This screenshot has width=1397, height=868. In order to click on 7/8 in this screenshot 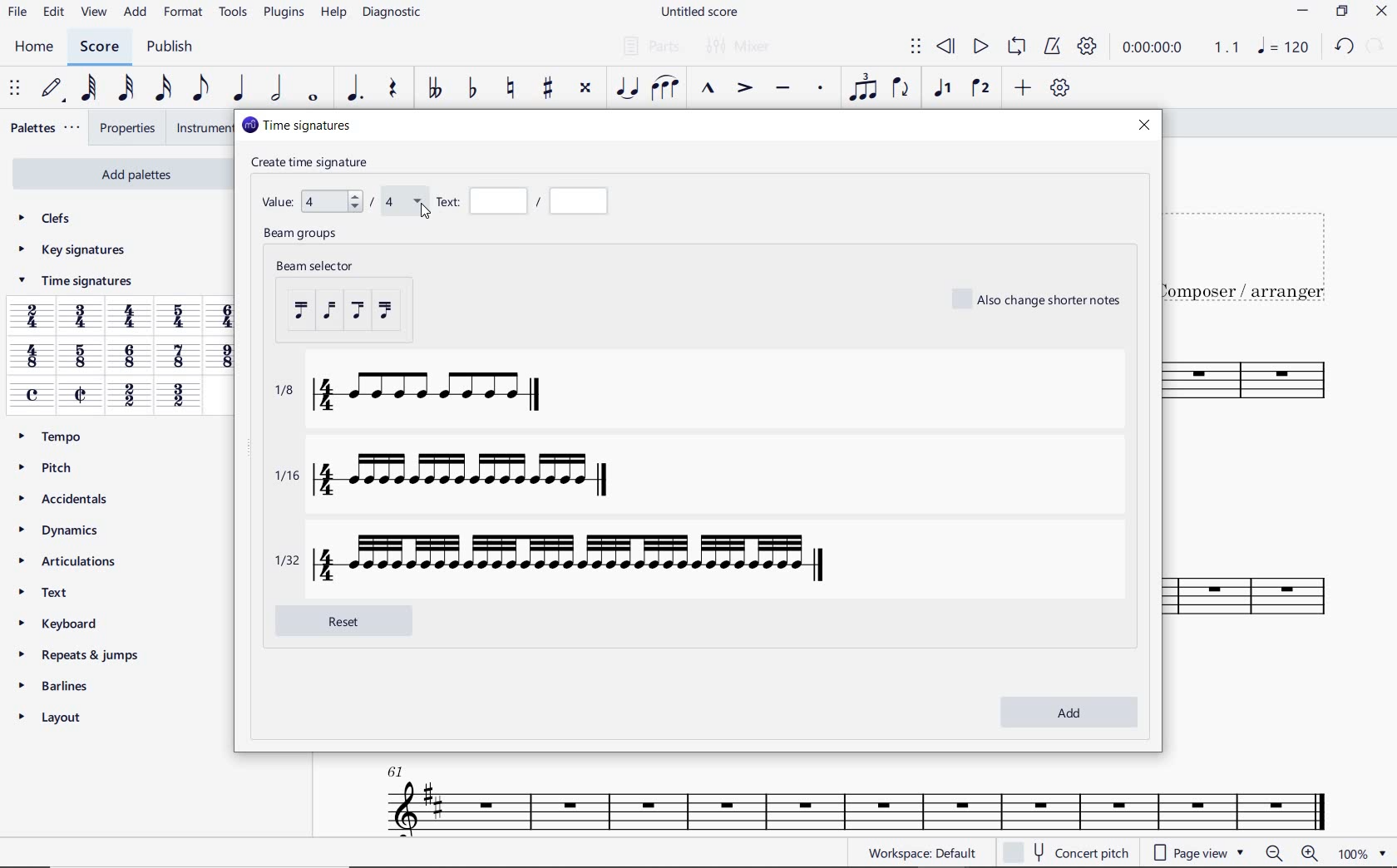, I will do `click(179, 358)`.